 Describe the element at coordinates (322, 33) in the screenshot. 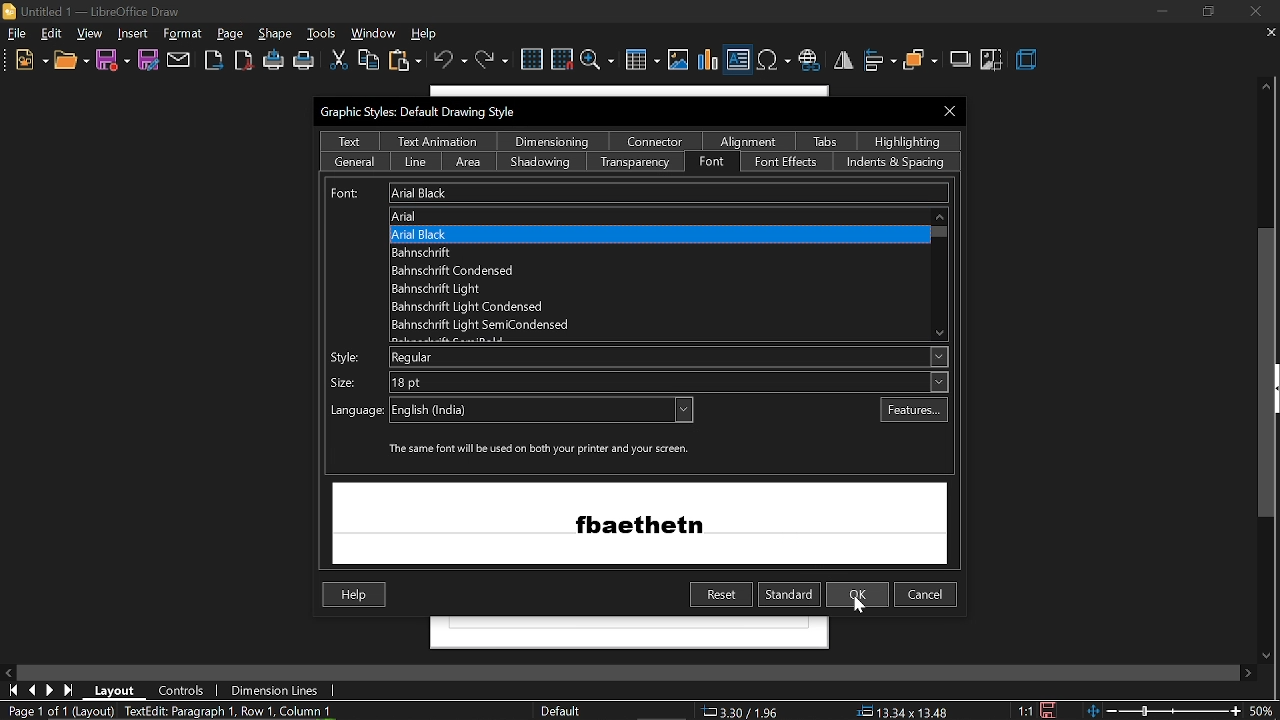

I see `tools` at that location.